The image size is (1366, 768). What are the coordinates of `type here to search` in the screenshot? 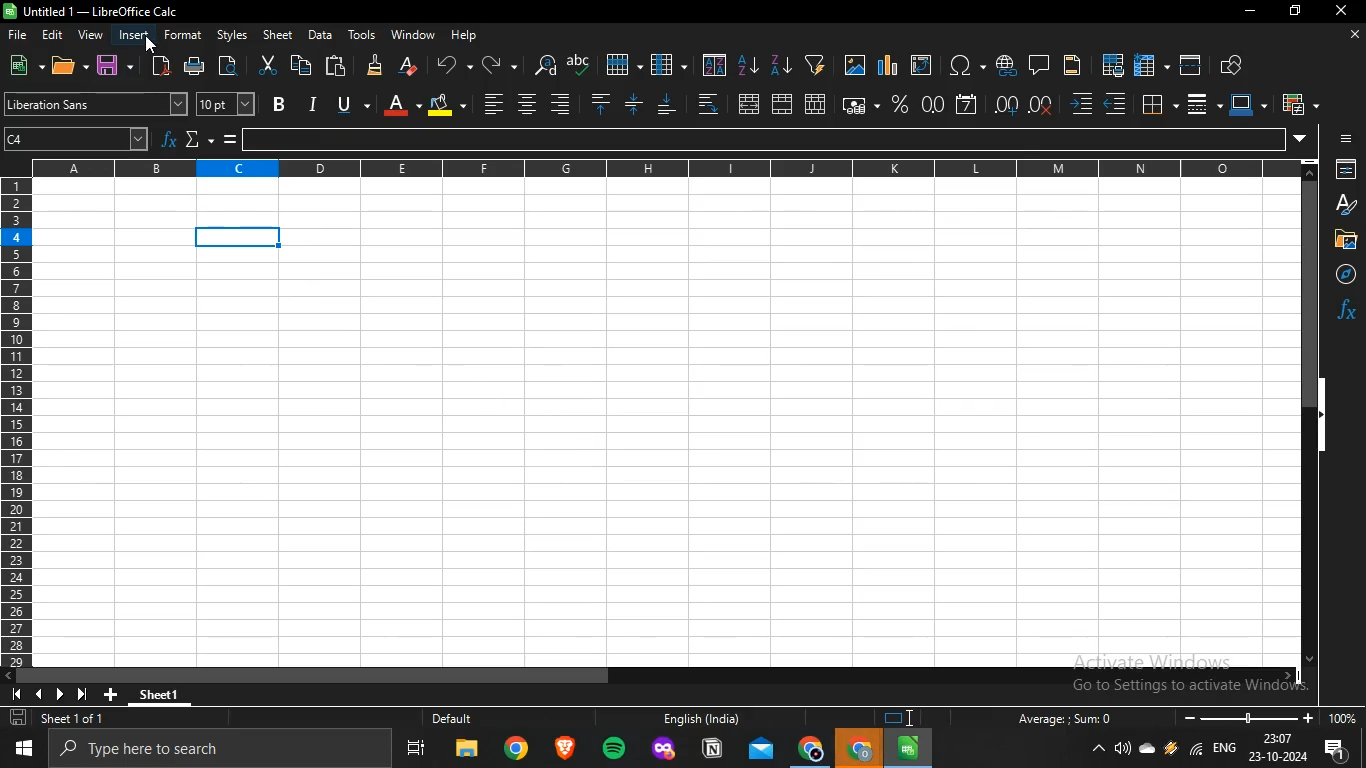 It's located at (225, 750).